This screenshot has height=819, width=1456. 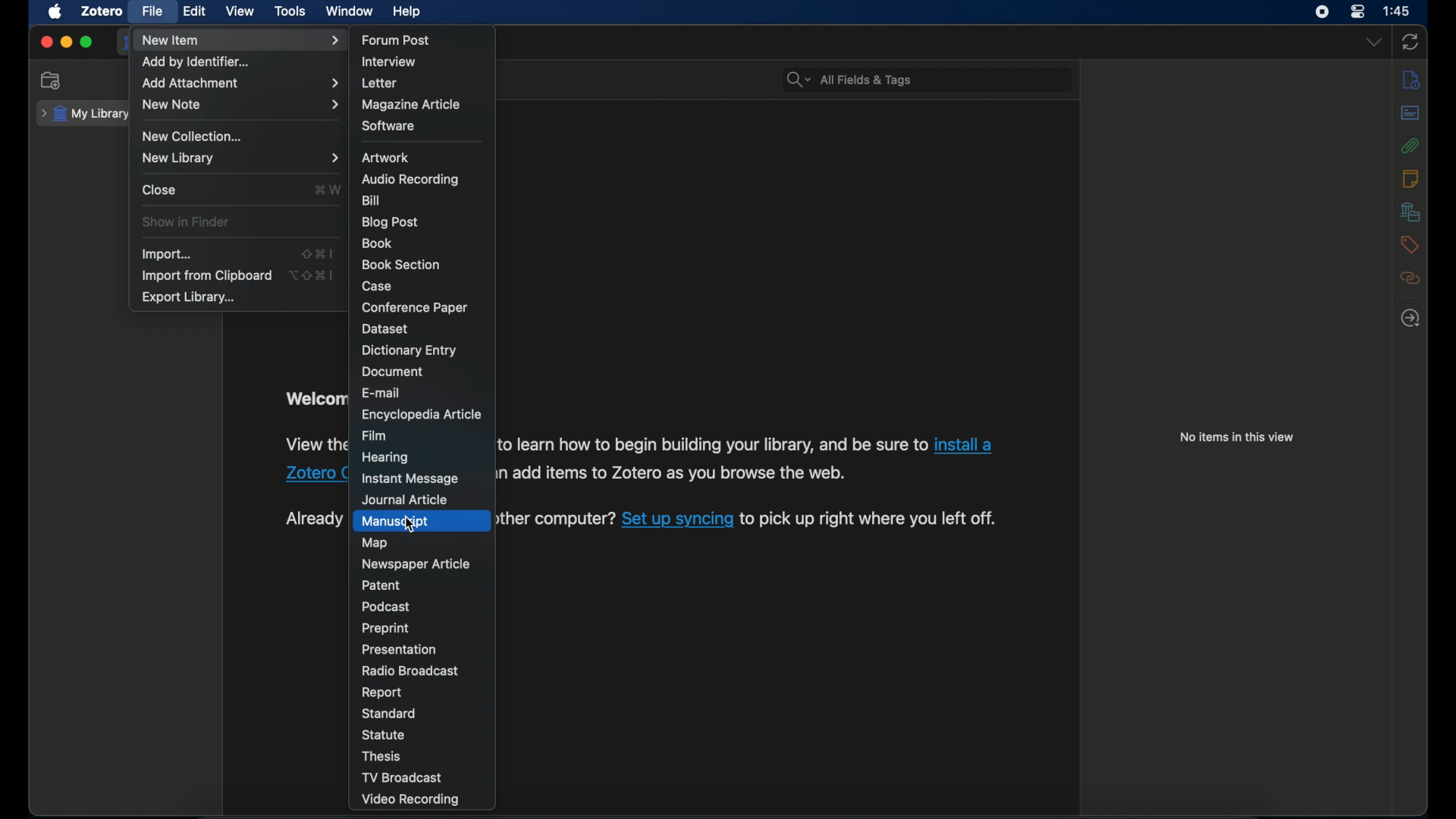 What do you see at coordinates (682, 473) in the screenshot?
I see `add items to Zotero as you browse the web.` at bounding box center [682, 473].